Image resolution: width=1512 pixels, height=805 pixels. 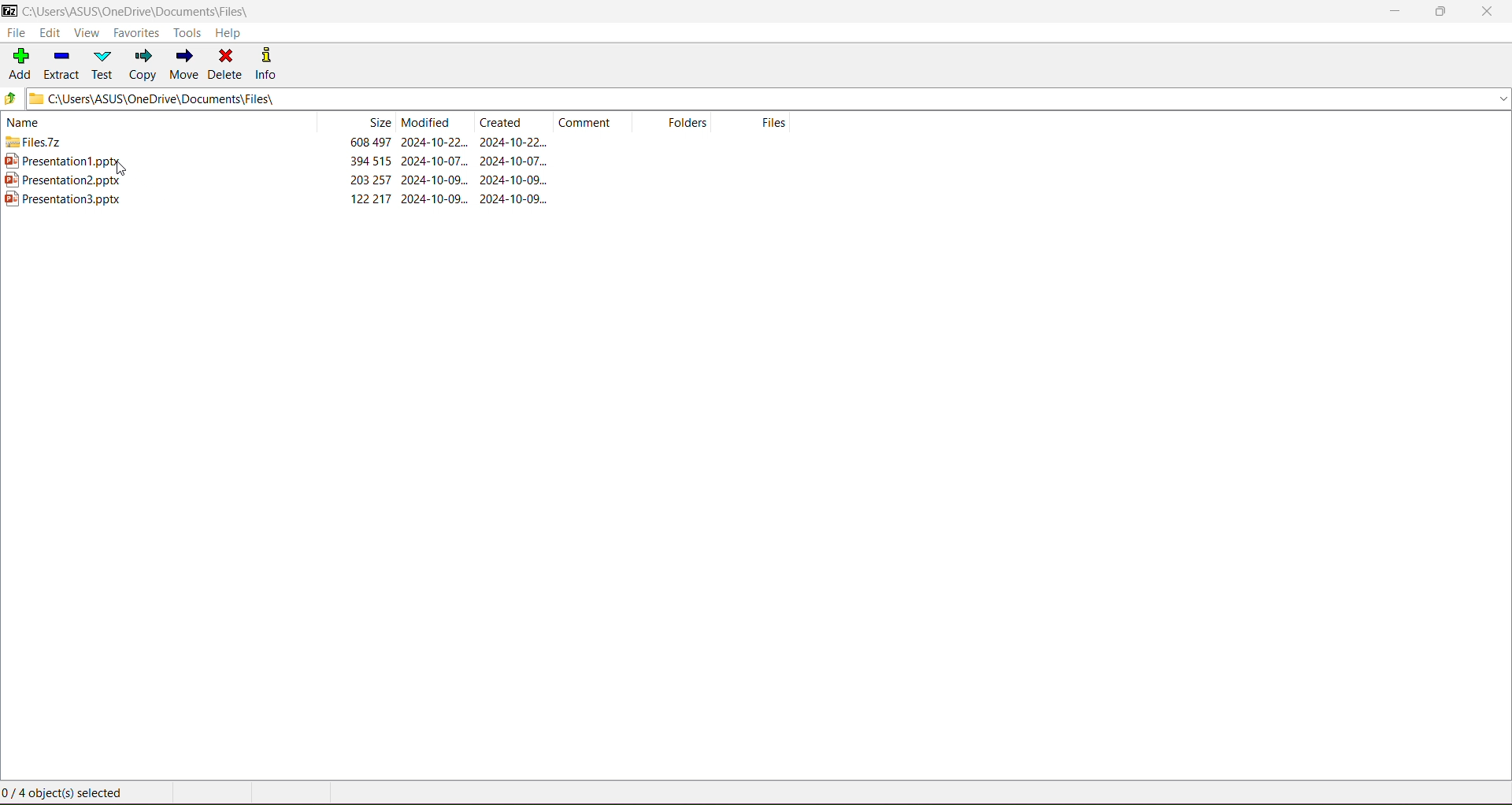 What do you see at coordinates (514, 198) in the screenshot?
I see `2024-10-09` at bounding box center [514, 198].